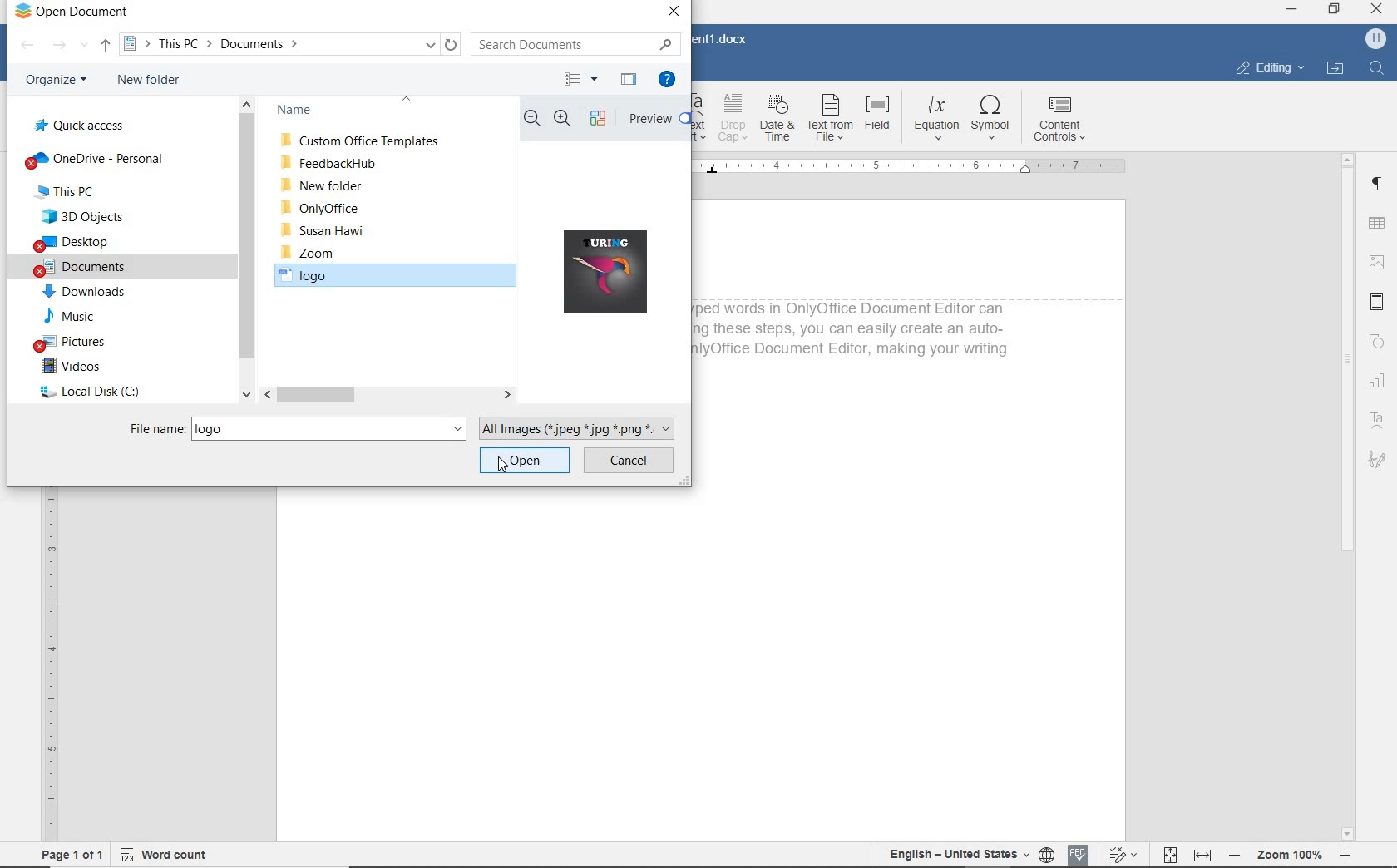 This screenshot has height=868, width=1397. I want to click on TABLE, so click(1375, 224).